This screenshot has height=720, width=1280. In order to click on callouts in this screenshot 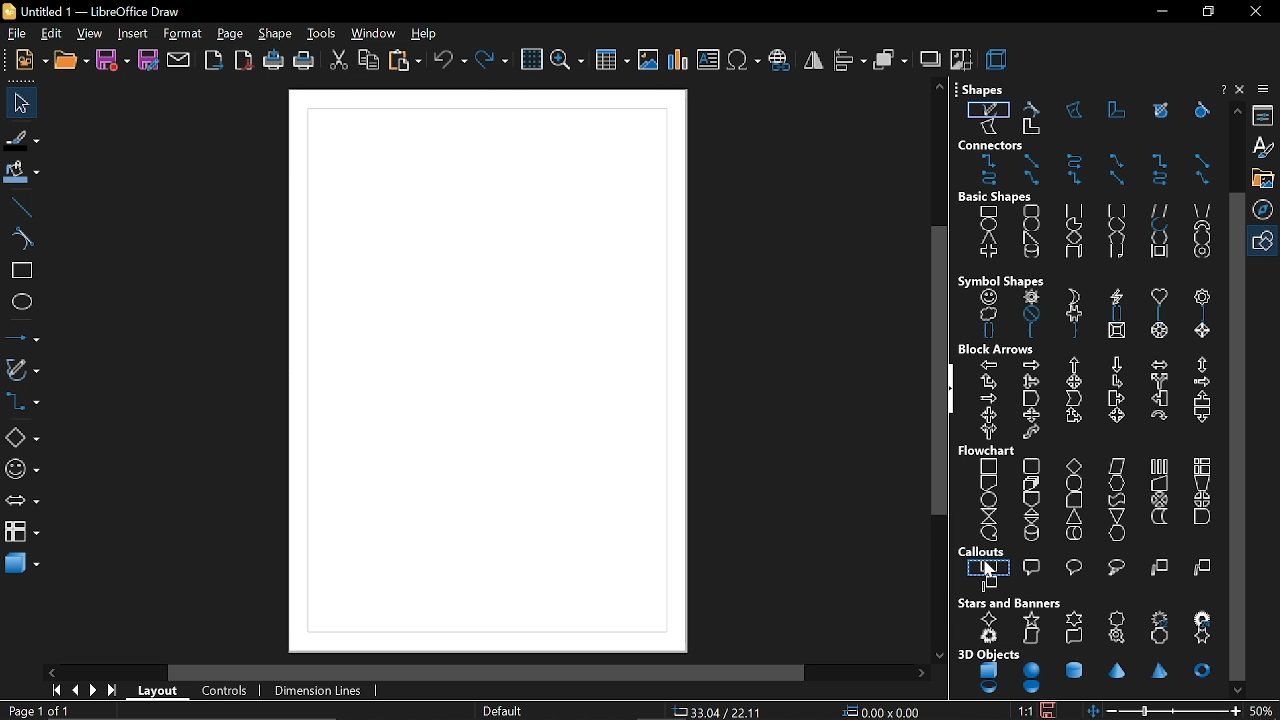, I will do `click(984, 552)`.